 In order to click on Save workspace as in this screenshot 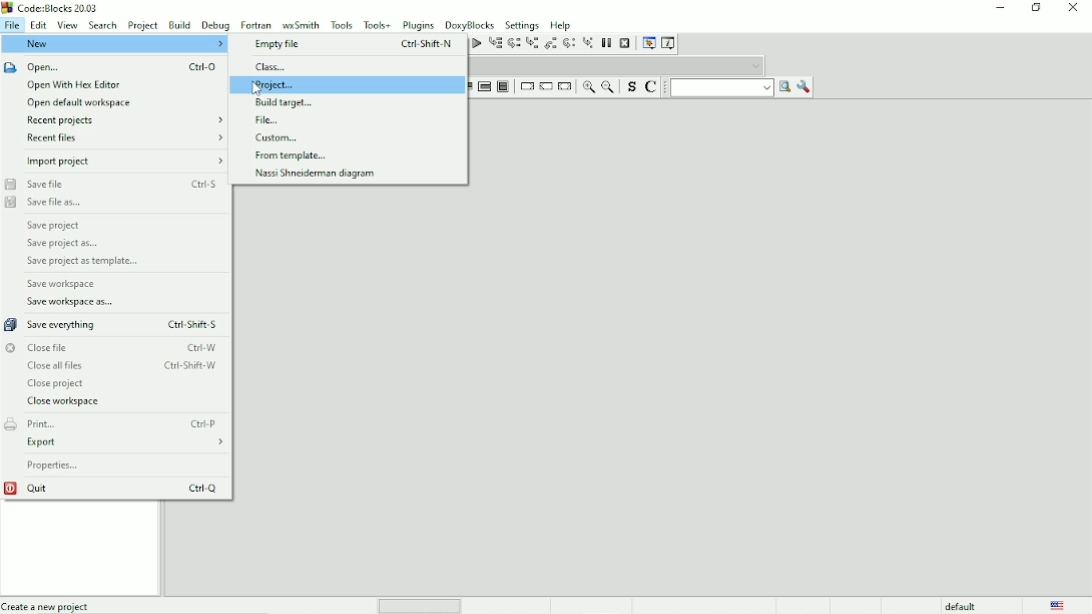, I will do `click(73, 302)`.